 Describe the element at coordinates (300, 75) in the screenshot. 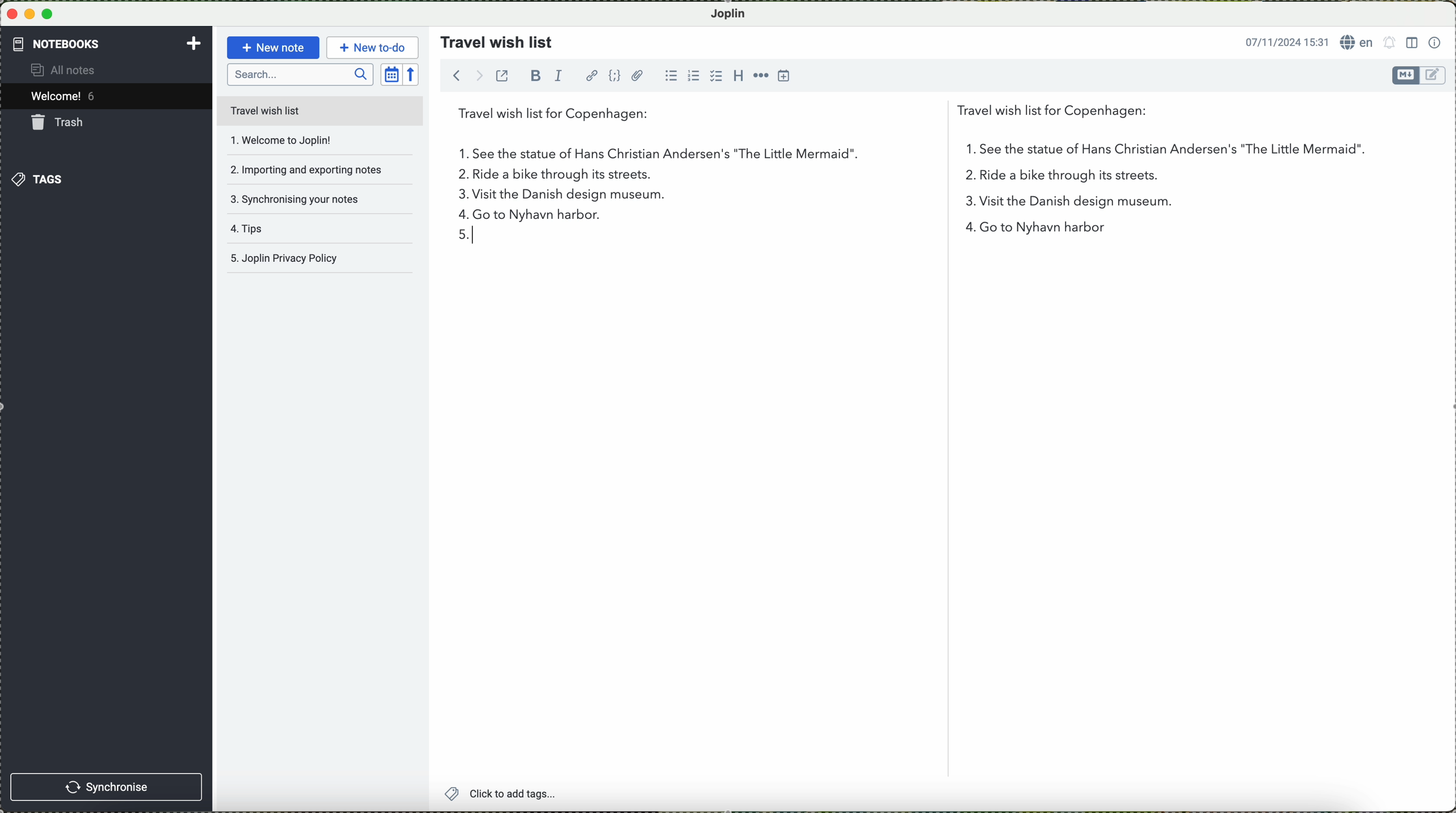

I see `search bar` at that location.